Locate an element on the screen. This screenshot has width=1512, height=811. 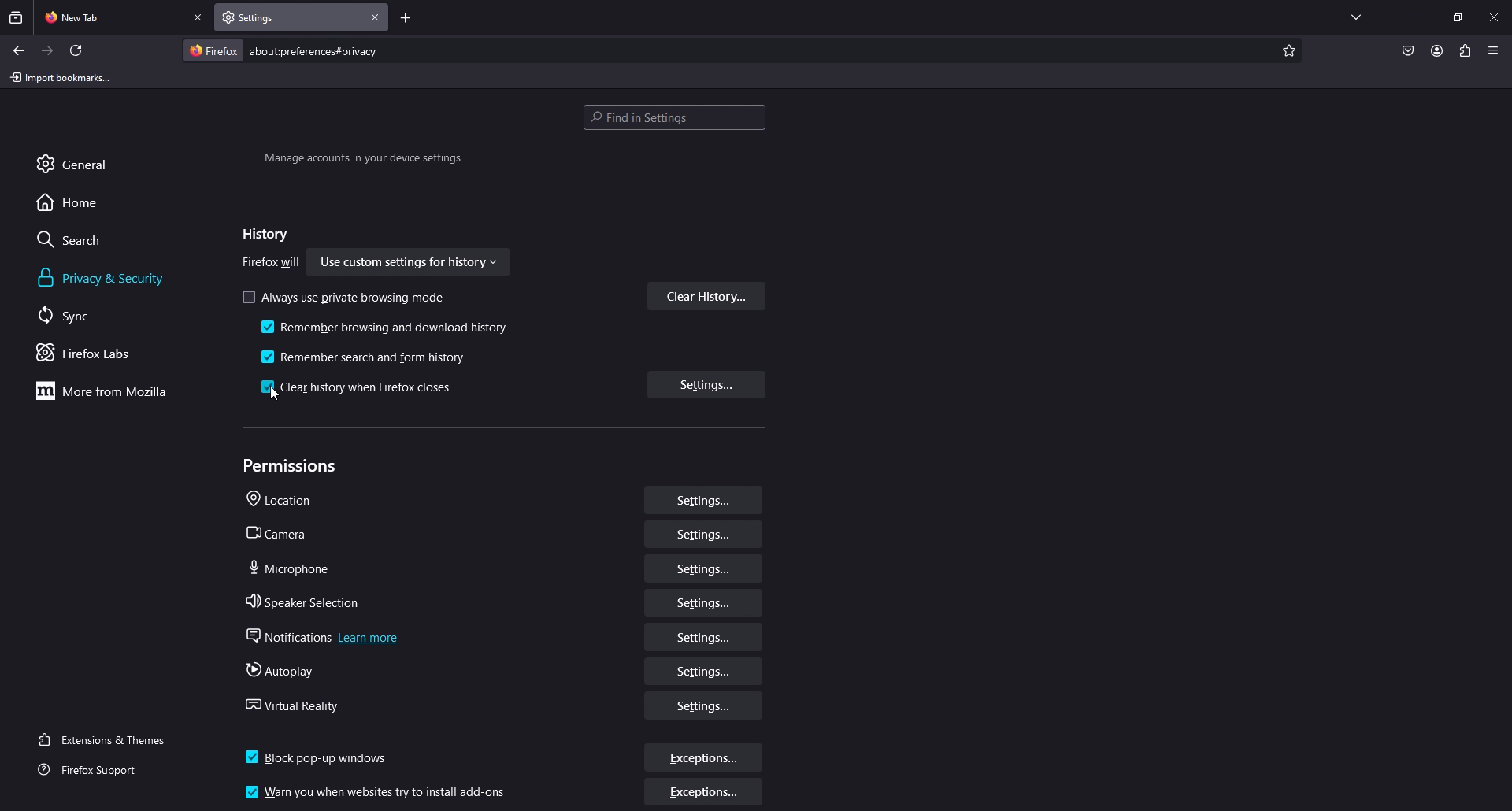
remember browsing and download history is located at coordinates (387, 329).